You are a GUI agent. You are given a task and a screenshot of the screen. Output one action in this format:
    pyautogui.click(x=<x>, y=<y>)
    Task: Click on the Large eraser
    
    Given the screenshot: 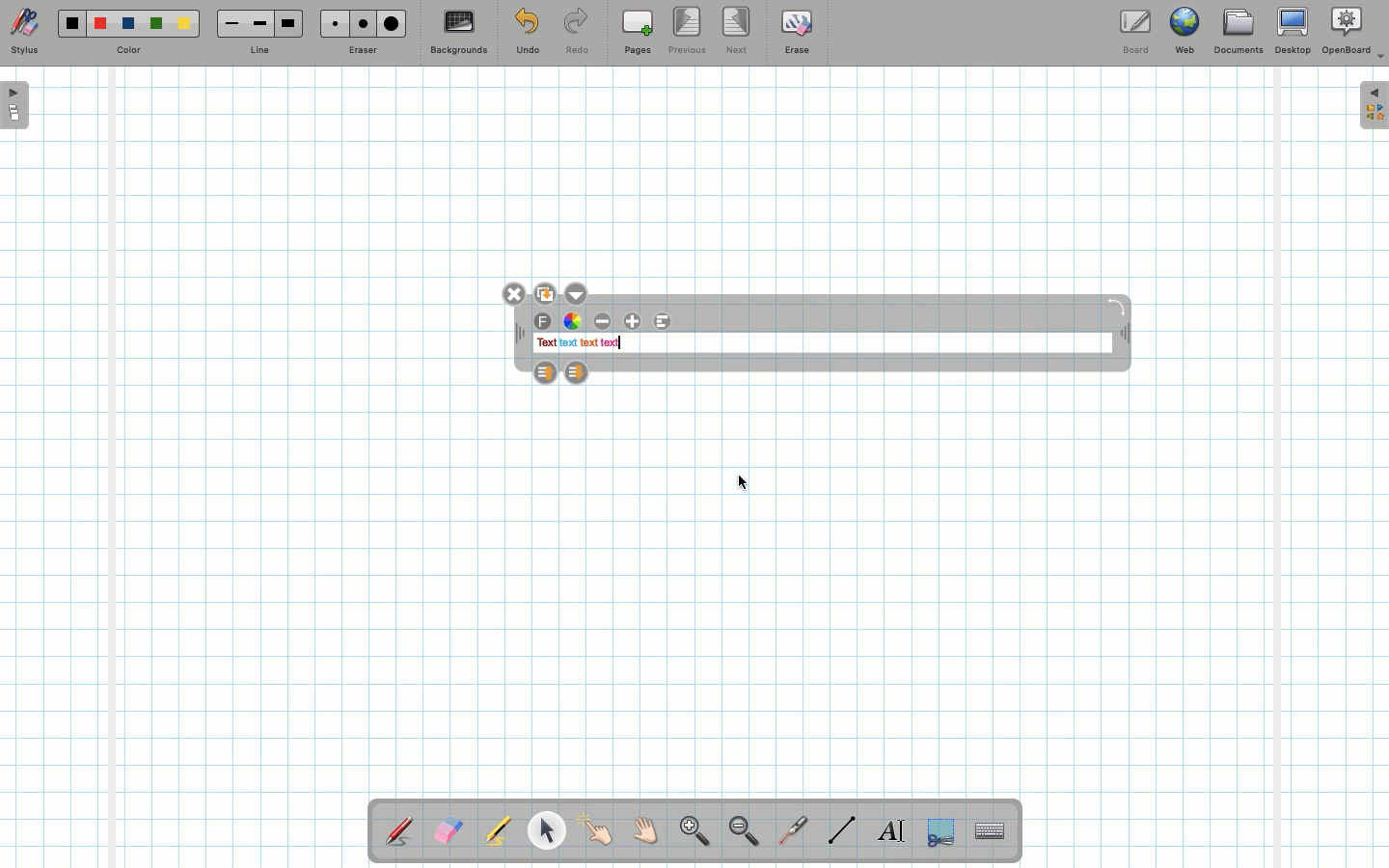 What is the action you would take?
    pyautogui.click(x=392, y=23)
    